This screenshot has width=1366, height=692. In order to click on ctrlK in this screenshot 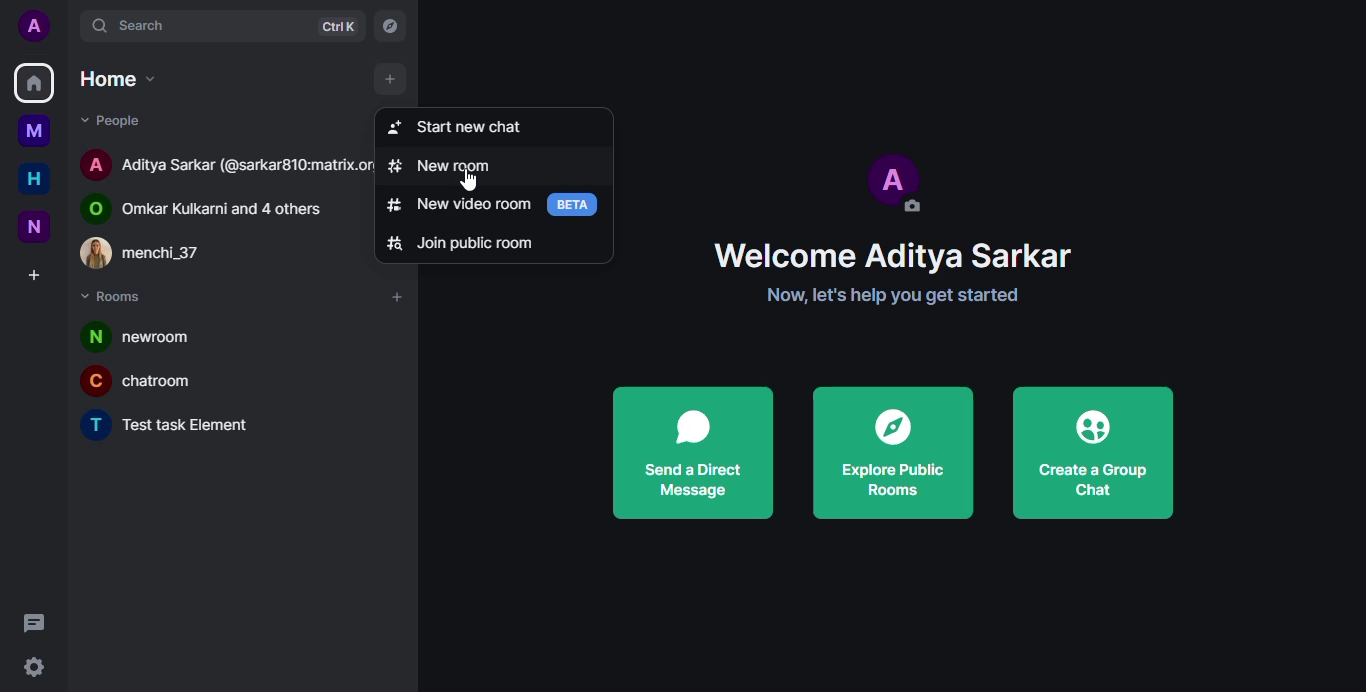, I will do `click(337, 27)`.